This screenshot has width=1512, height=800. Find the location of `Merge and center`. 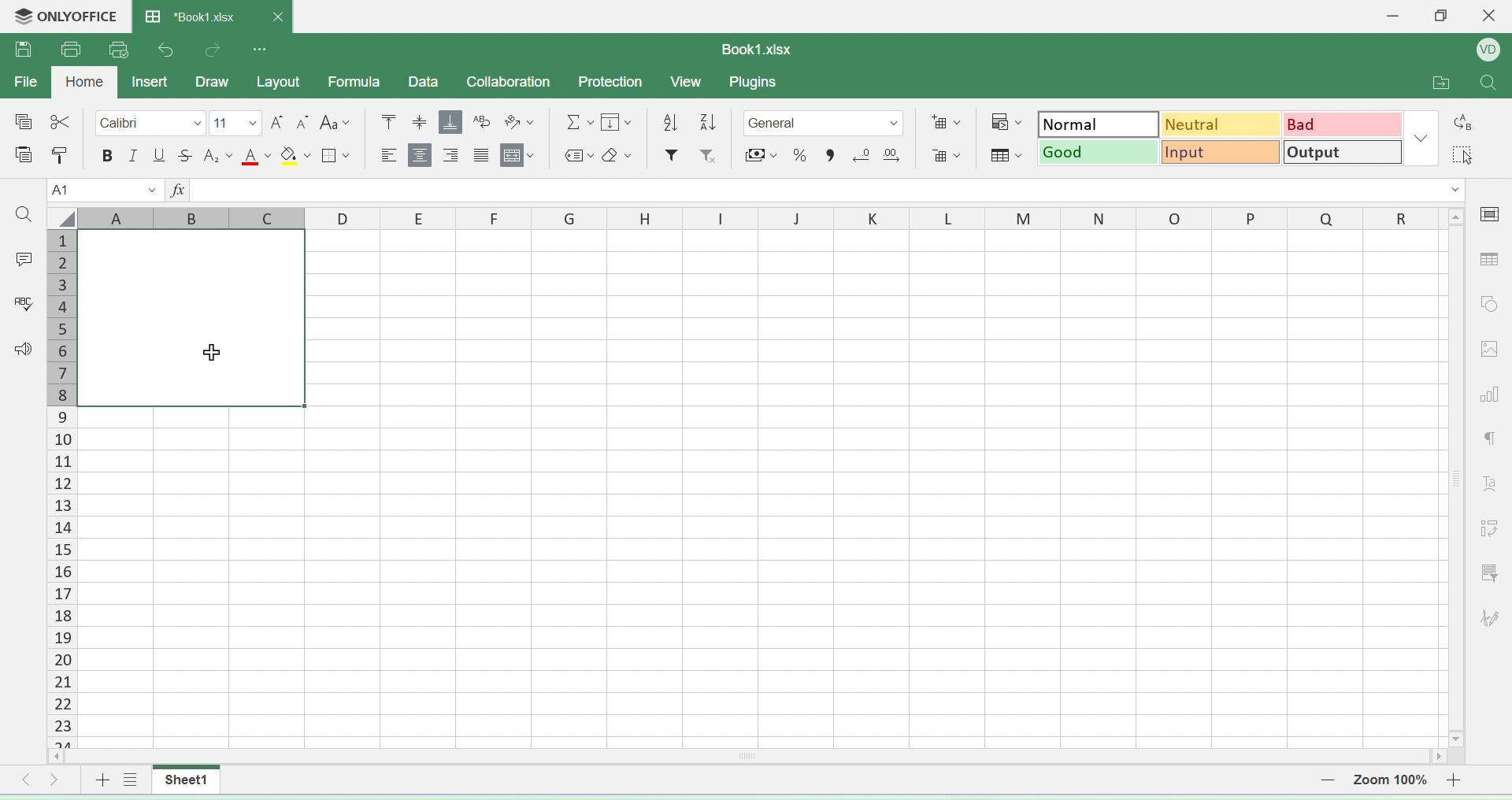

Merge and center is located at coordinates (517, 158).